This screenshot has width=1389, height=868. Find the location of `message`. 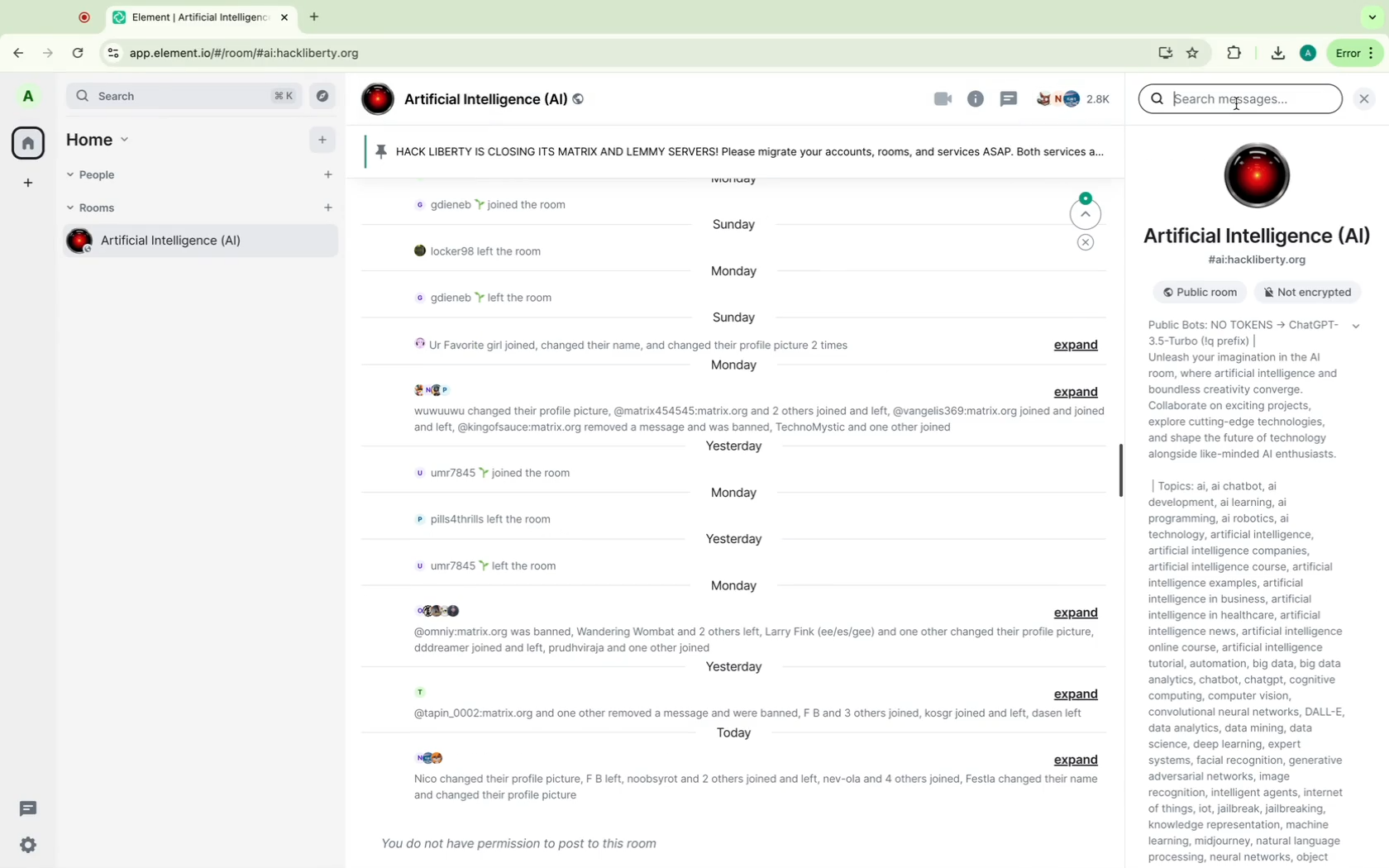

message is located at coordinates (502, 473).